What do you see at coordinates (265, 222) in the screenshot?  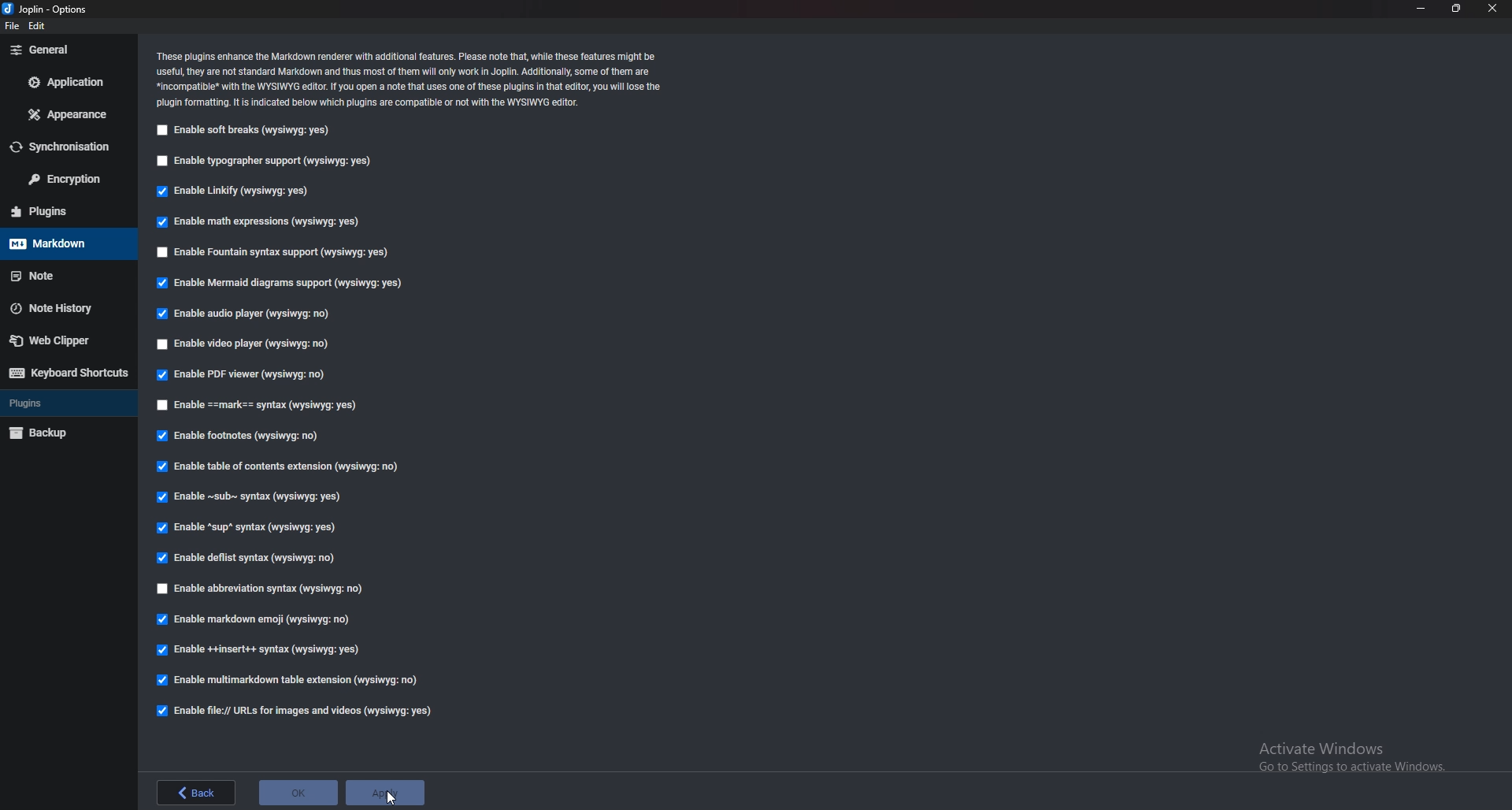 I see `Enable math expressions` at bounding box center [265, 222].